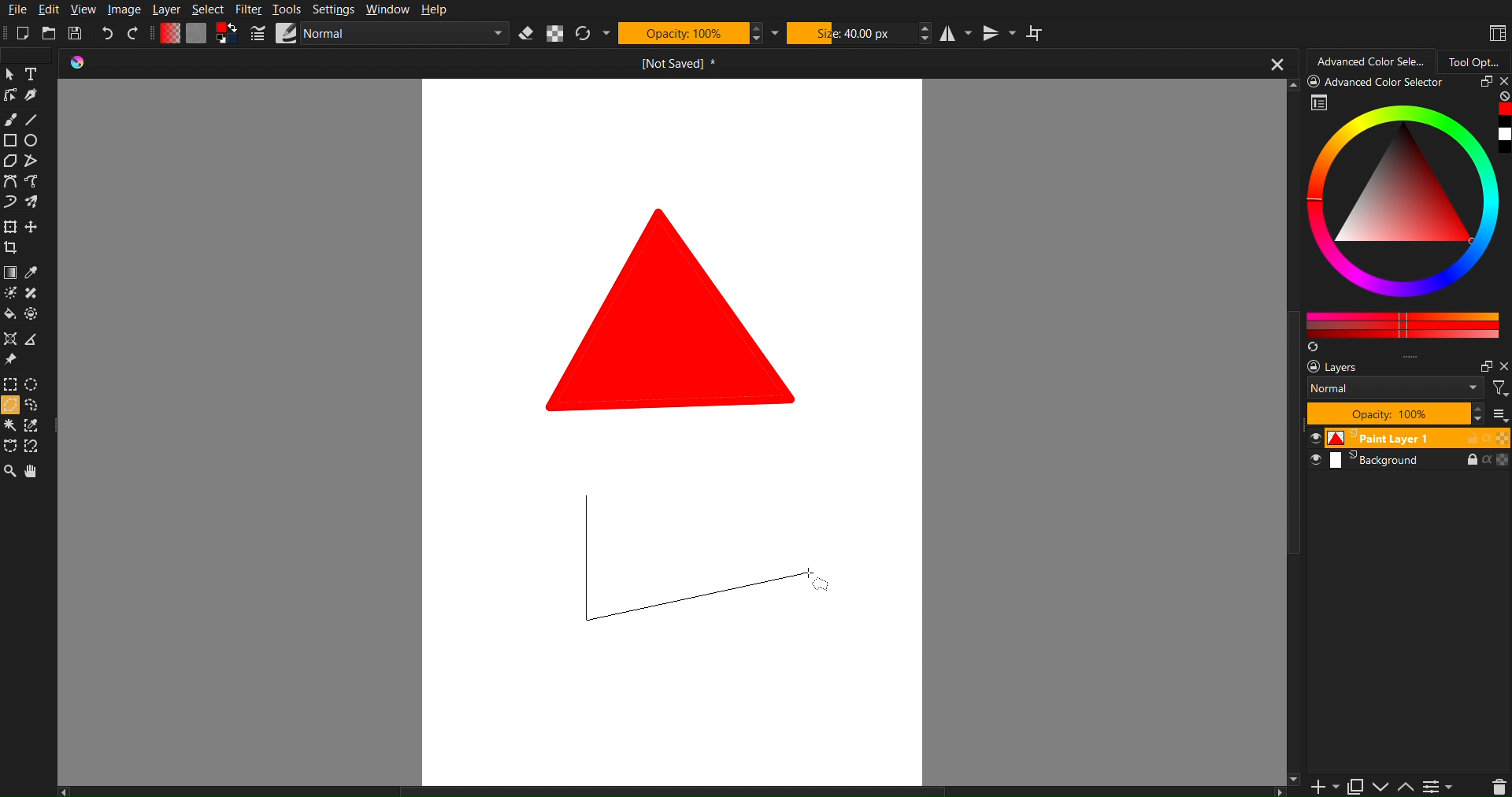 This screenshot has height=797, width=1512. What do you see at coordinates (9, 384) in the screenshot?
I see `Selection square` at bounding box center [9, 384].